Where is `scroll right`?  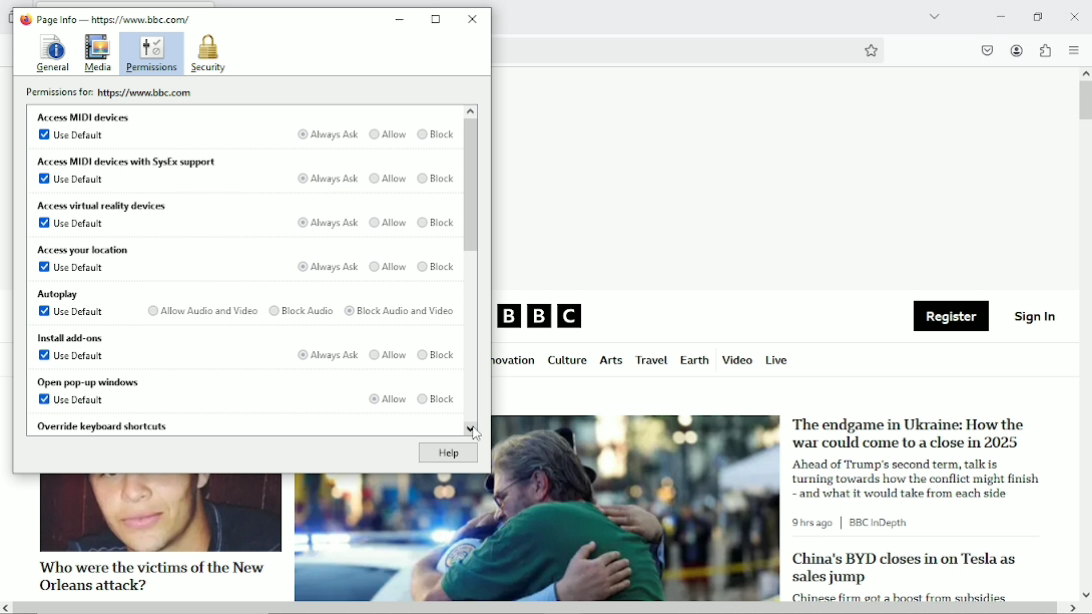 scroll right is located at coordinates (1071, 608).